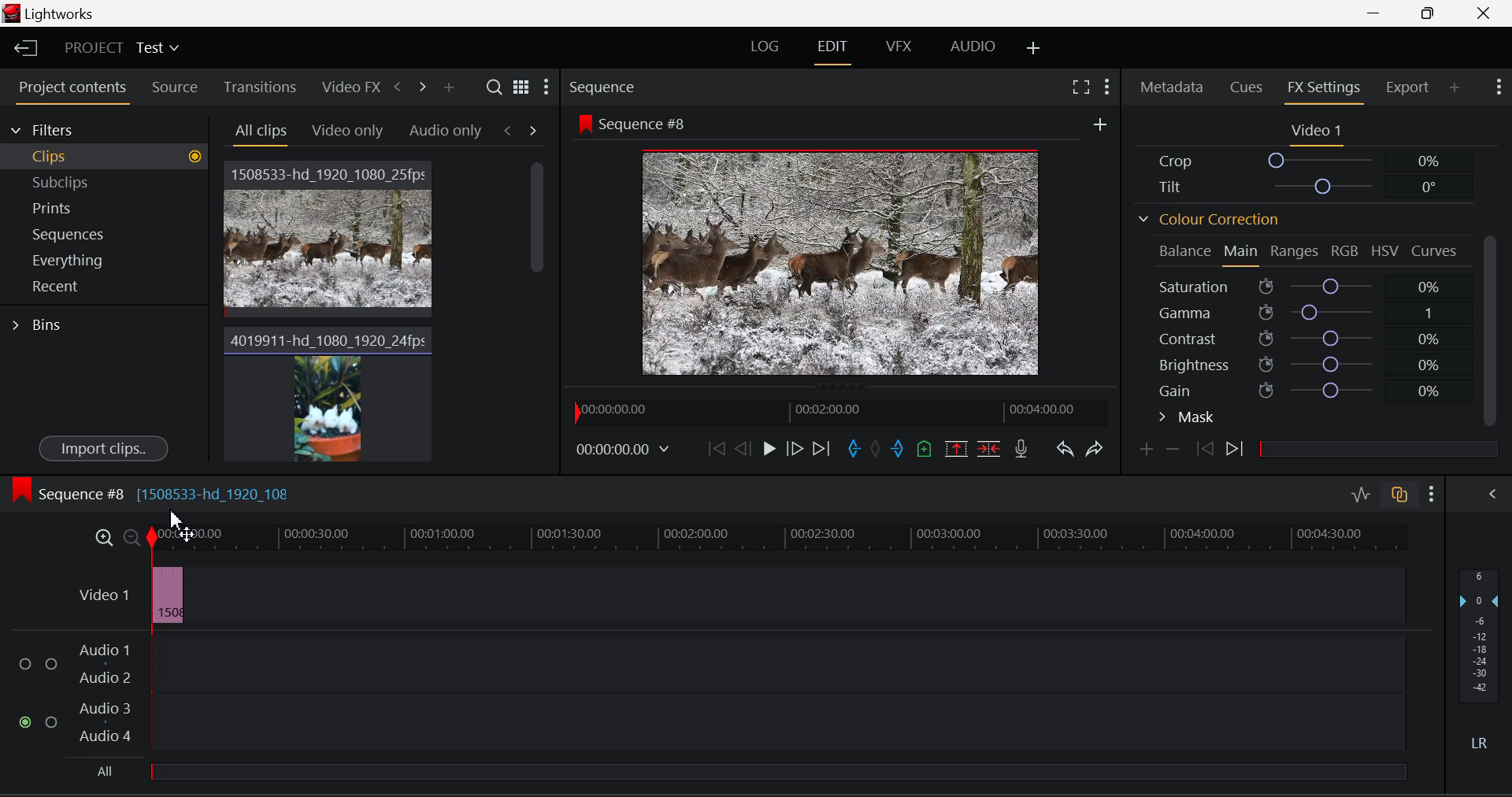  I want to click on Contrast, so click(1303, 339).